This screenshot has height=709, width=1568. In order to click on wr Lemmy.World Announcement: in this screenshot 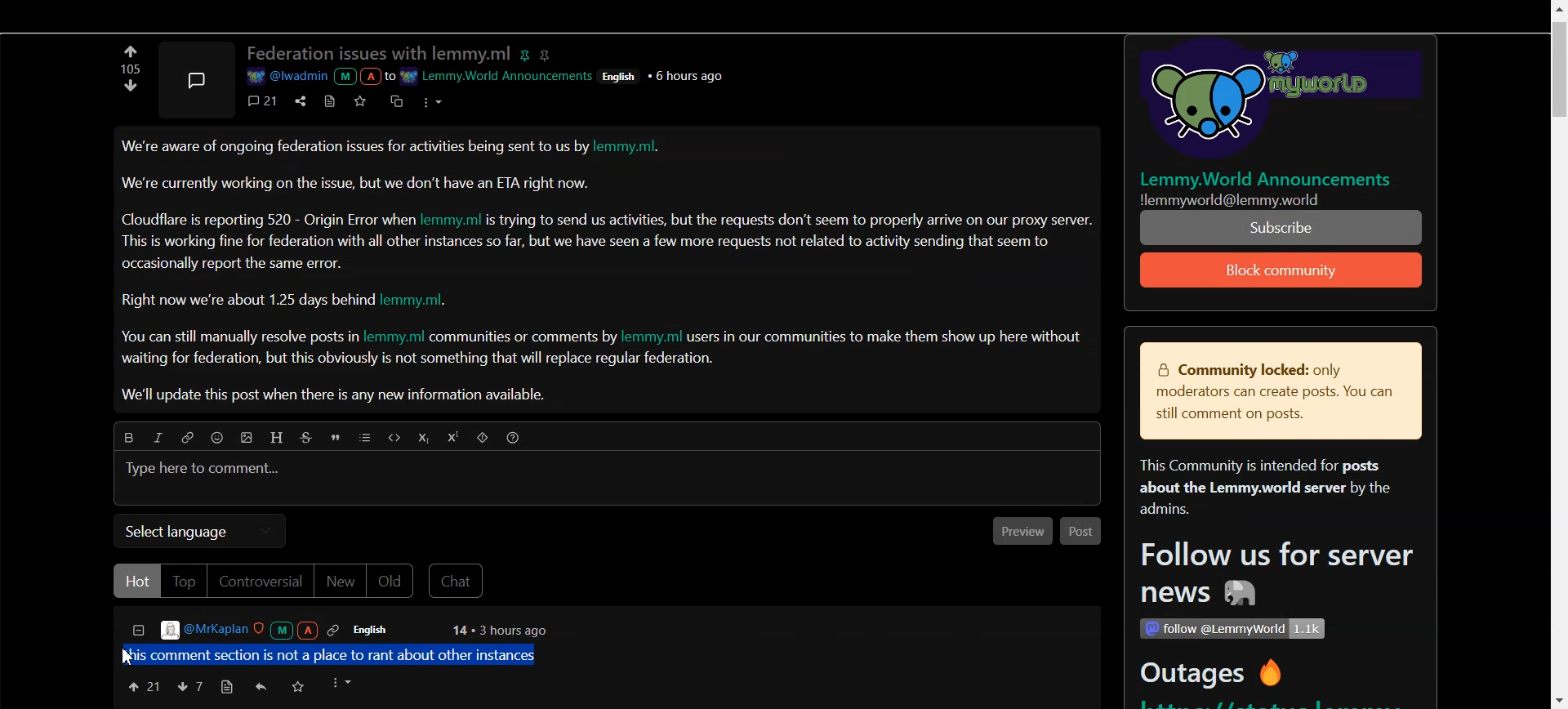, I will do `click(499, 74)`.